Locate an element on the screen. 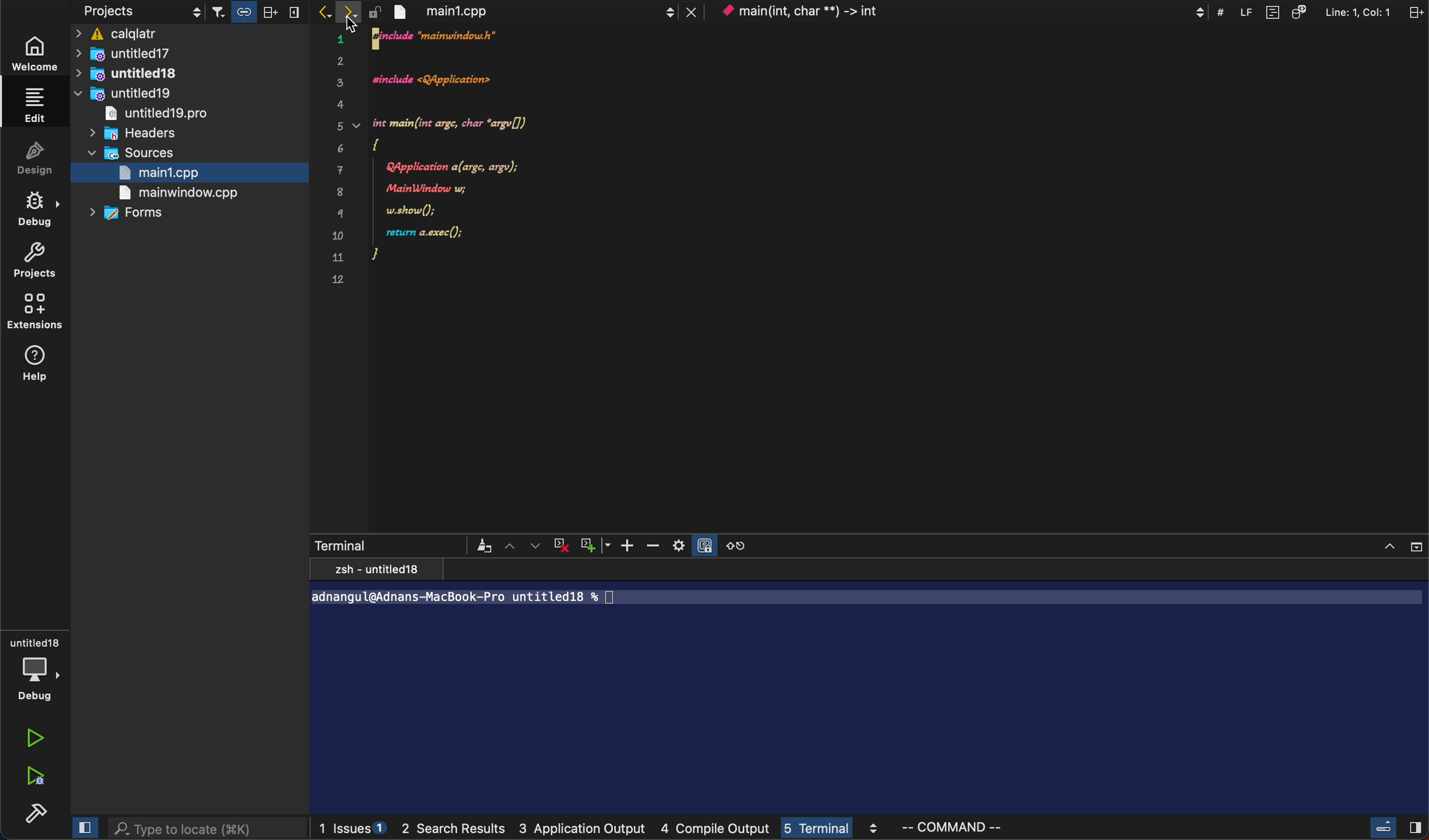 The image size is (1429, 840). build is located at coordinates (35, 811).